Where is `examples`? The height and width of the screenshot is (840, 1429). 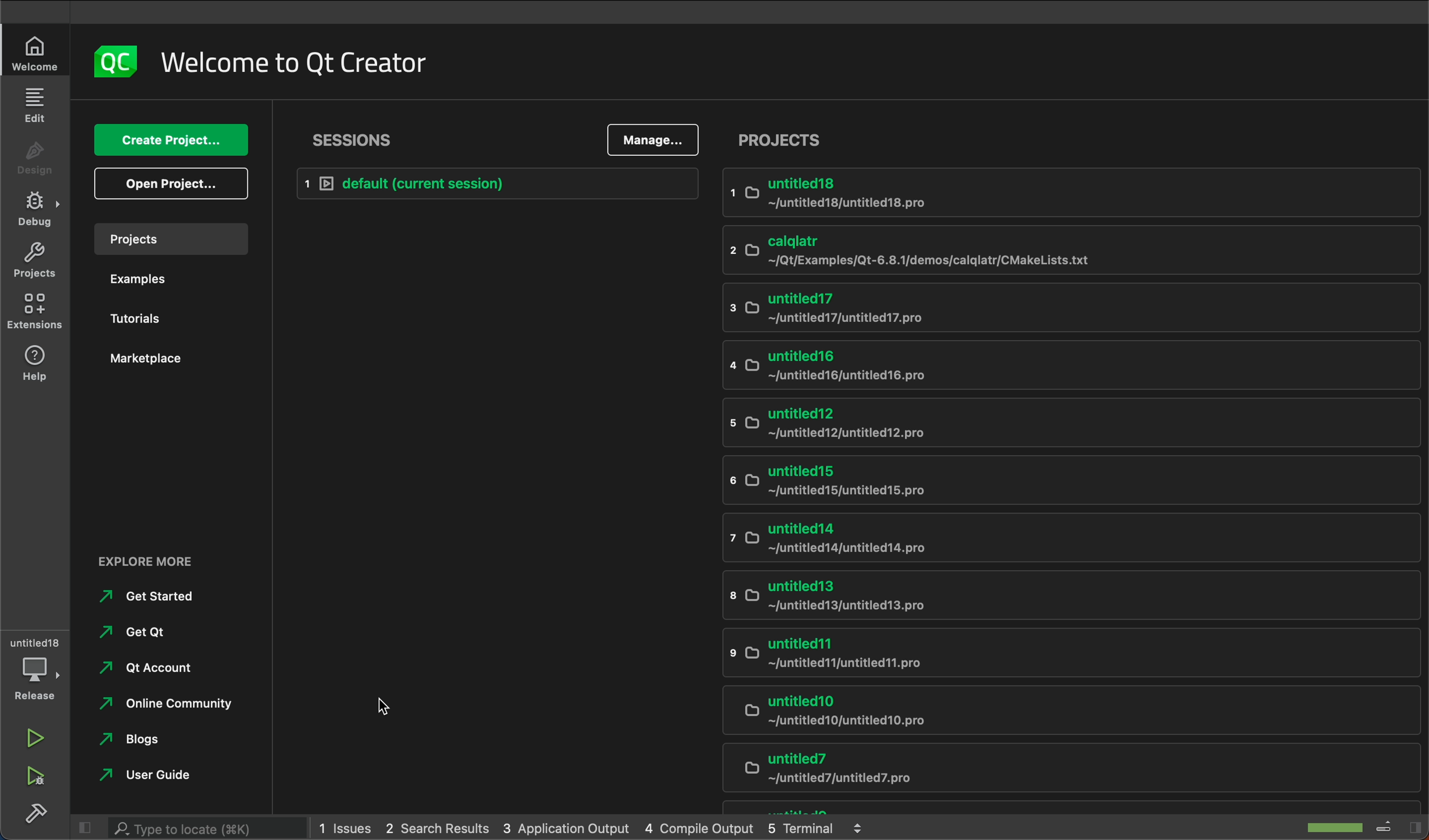 examples is located at coordinates (168, 282).